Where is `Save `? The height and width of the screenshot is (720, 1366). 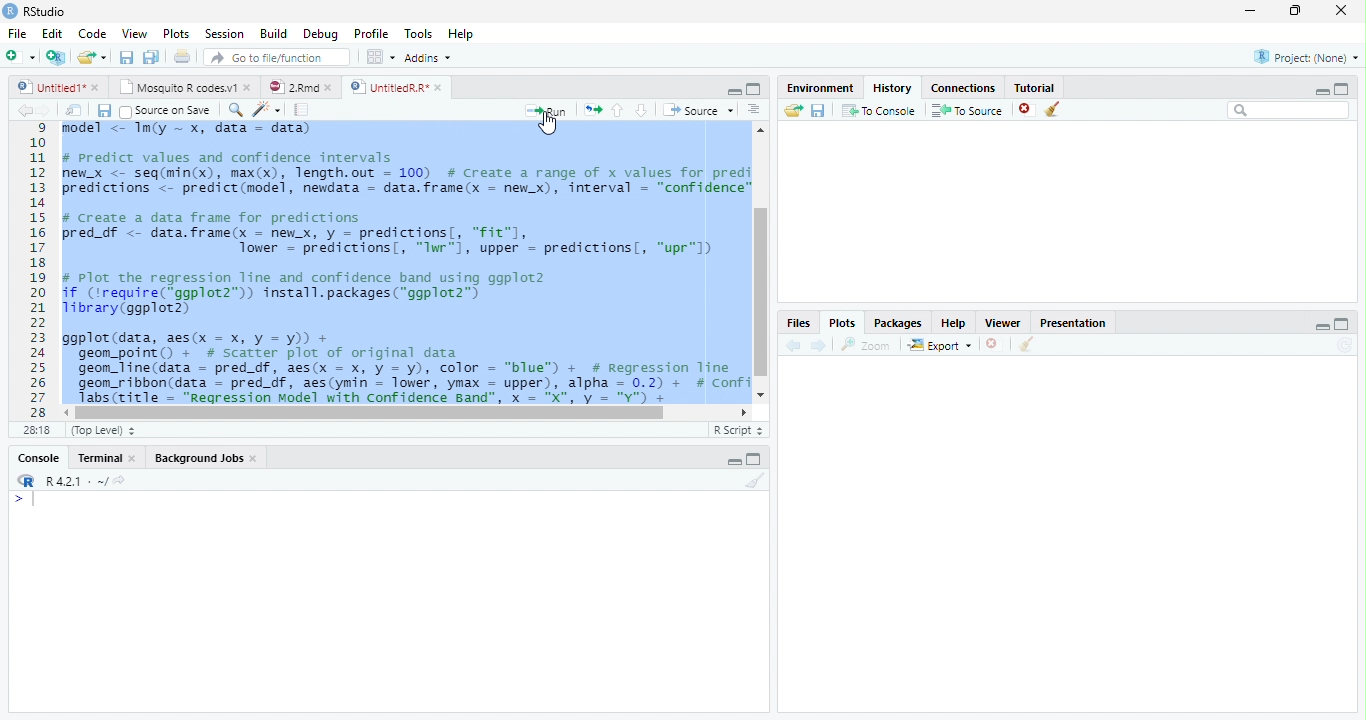
Save  is located at coordinates (106, 111).